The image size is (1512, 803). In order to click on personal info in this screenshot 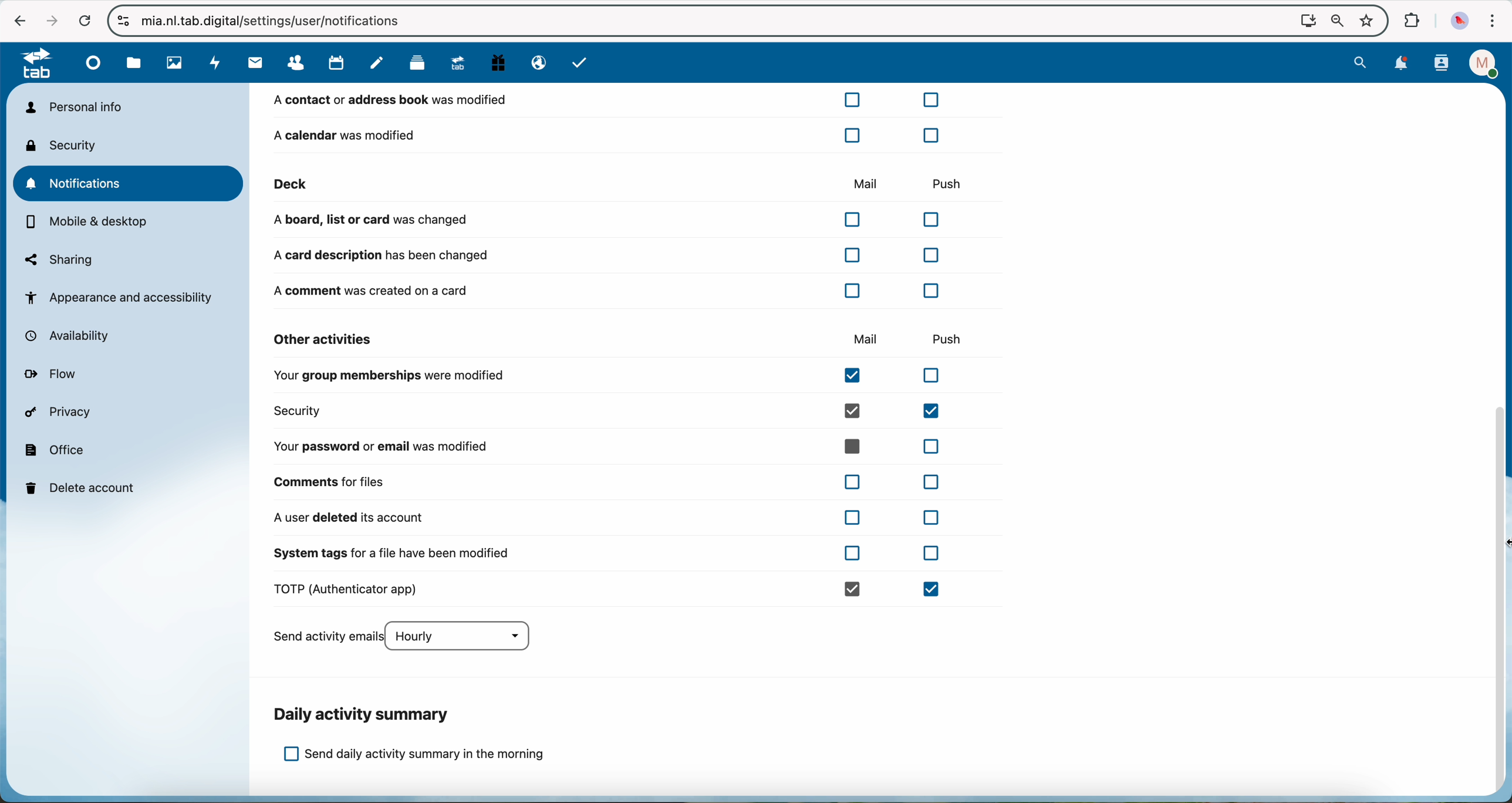, I will do `click(73, 107)`.